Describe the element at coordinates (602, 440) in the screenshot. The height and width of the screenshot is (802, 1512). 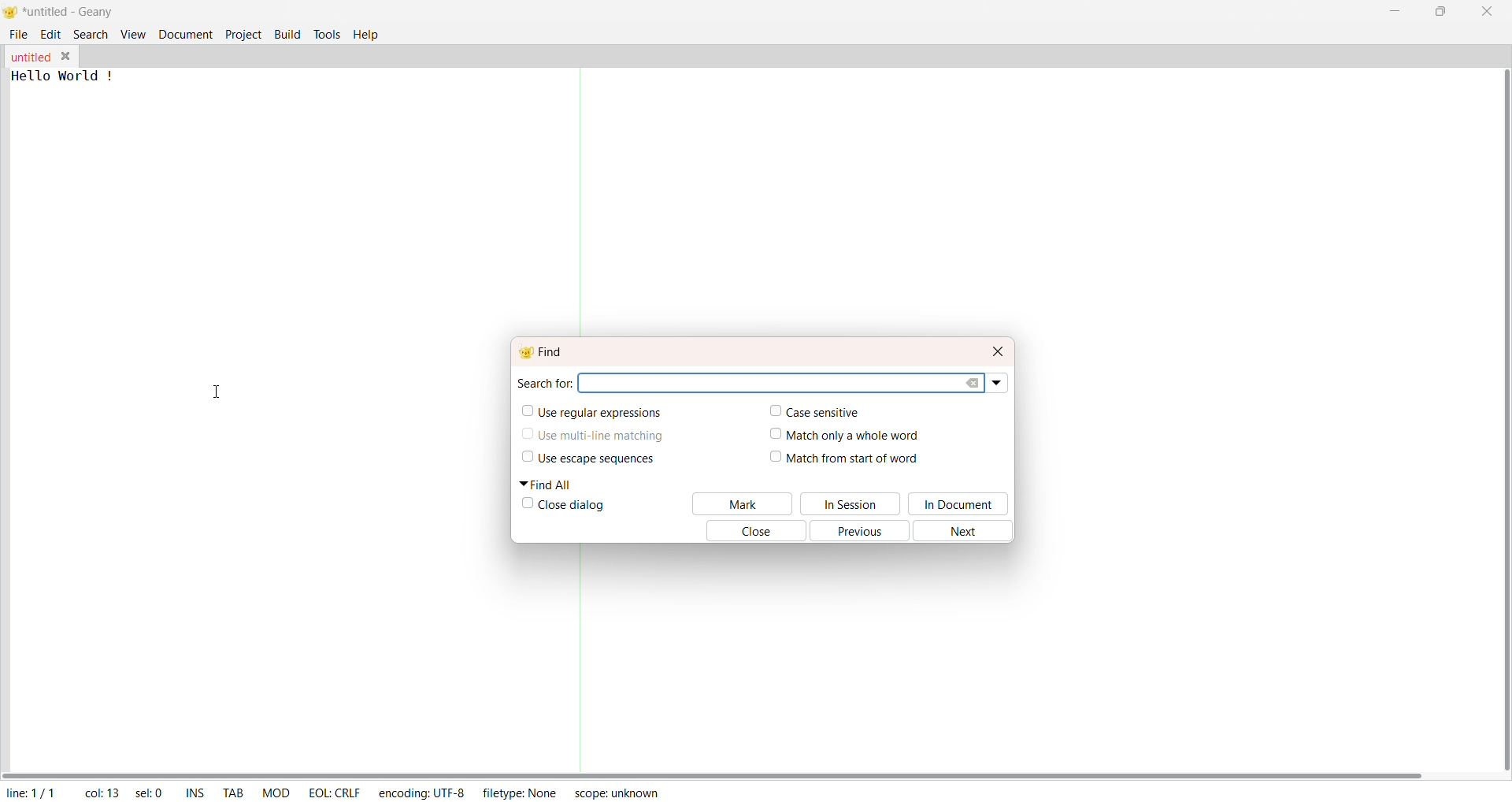
I see `Use Multi Line Matching` at that location.